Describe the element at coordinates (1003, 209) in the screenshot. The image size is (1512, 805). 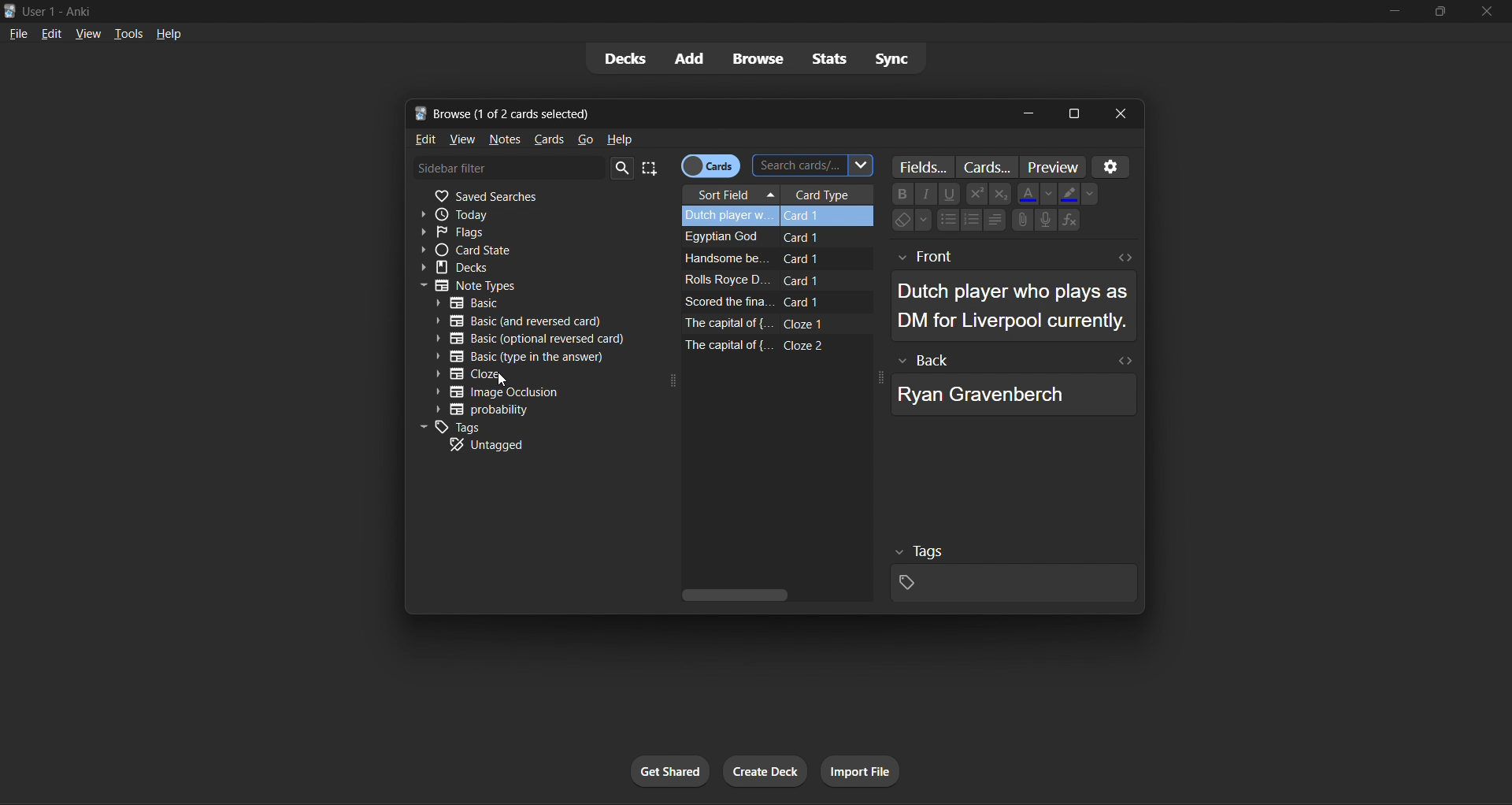
I see `card text styling ` at that location.